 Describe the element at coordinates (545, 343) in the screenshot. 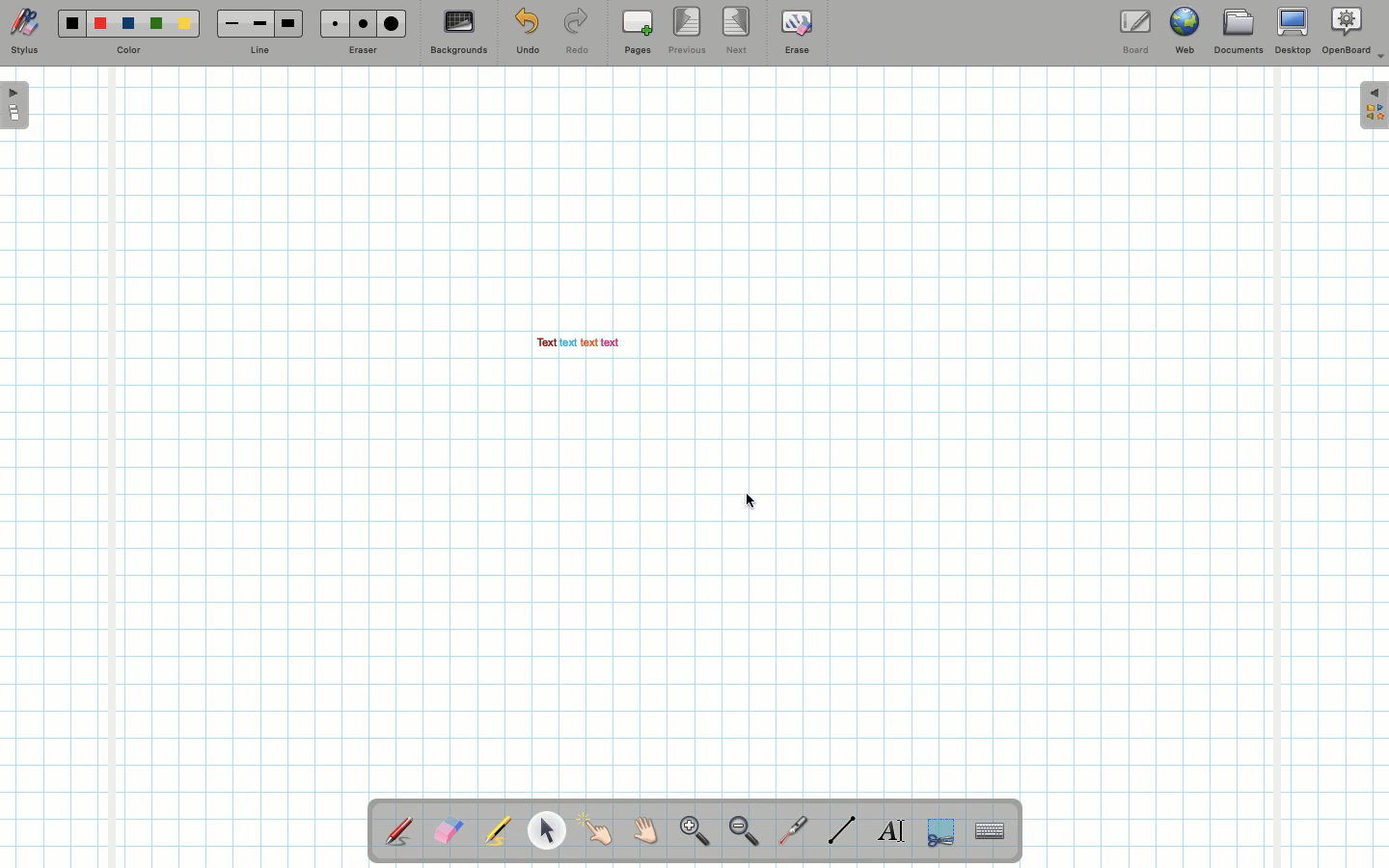

I see `text` at that location.